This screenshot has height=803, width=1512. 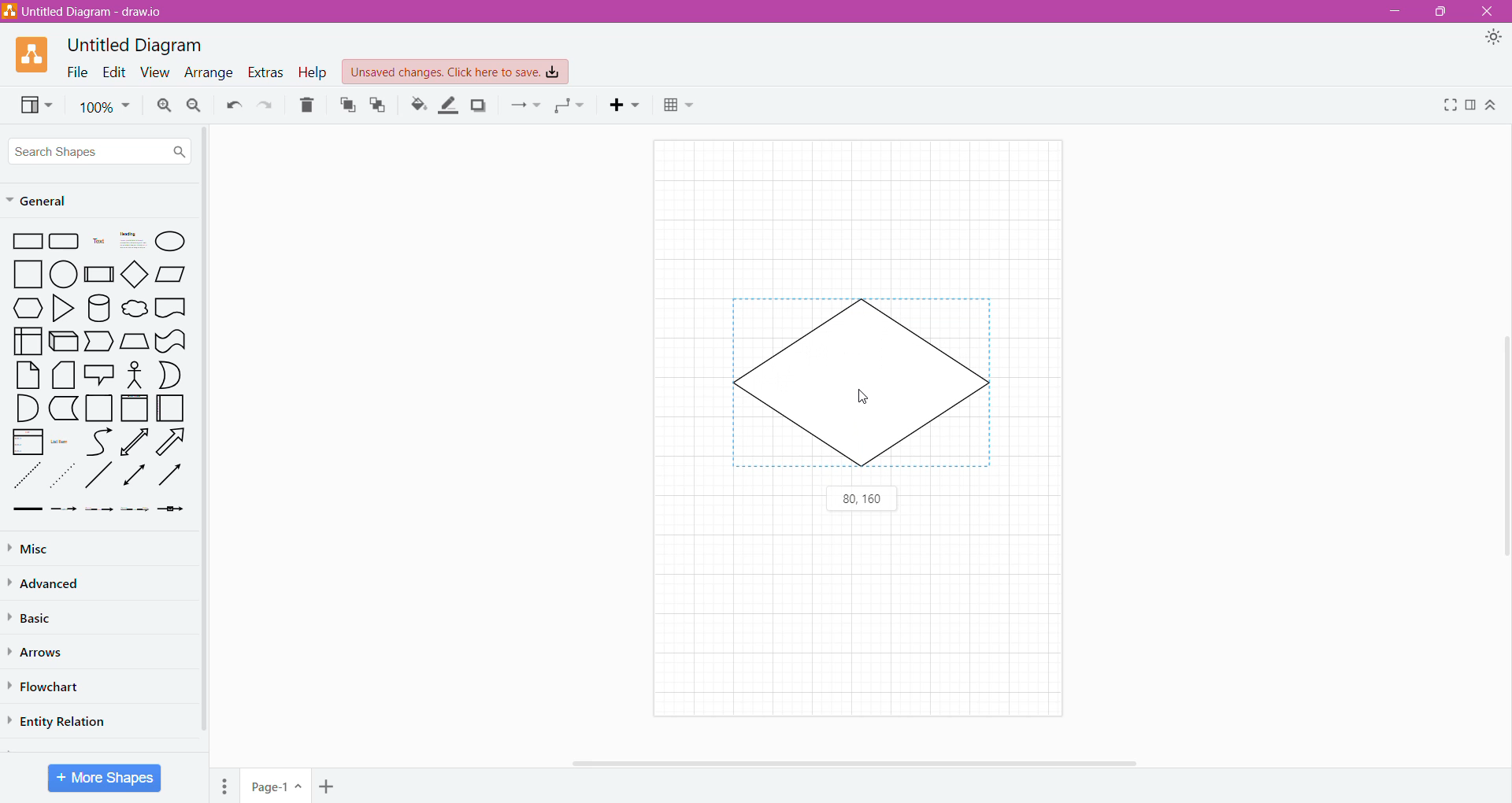 What do you see at coordinates (100, 151) in the screenshot?
I see `Search Shapes` at bounding box center [100, 151].